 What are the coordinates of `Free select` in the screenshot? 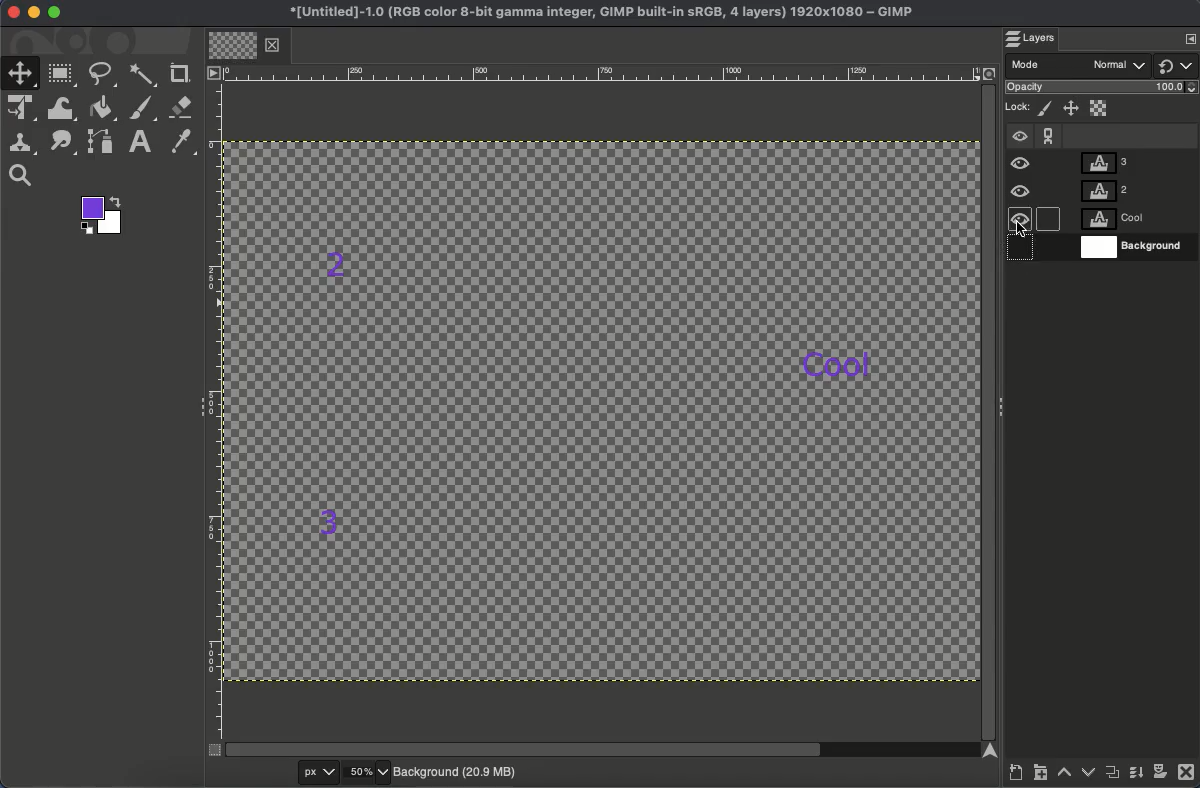 It's located at (106, 74).